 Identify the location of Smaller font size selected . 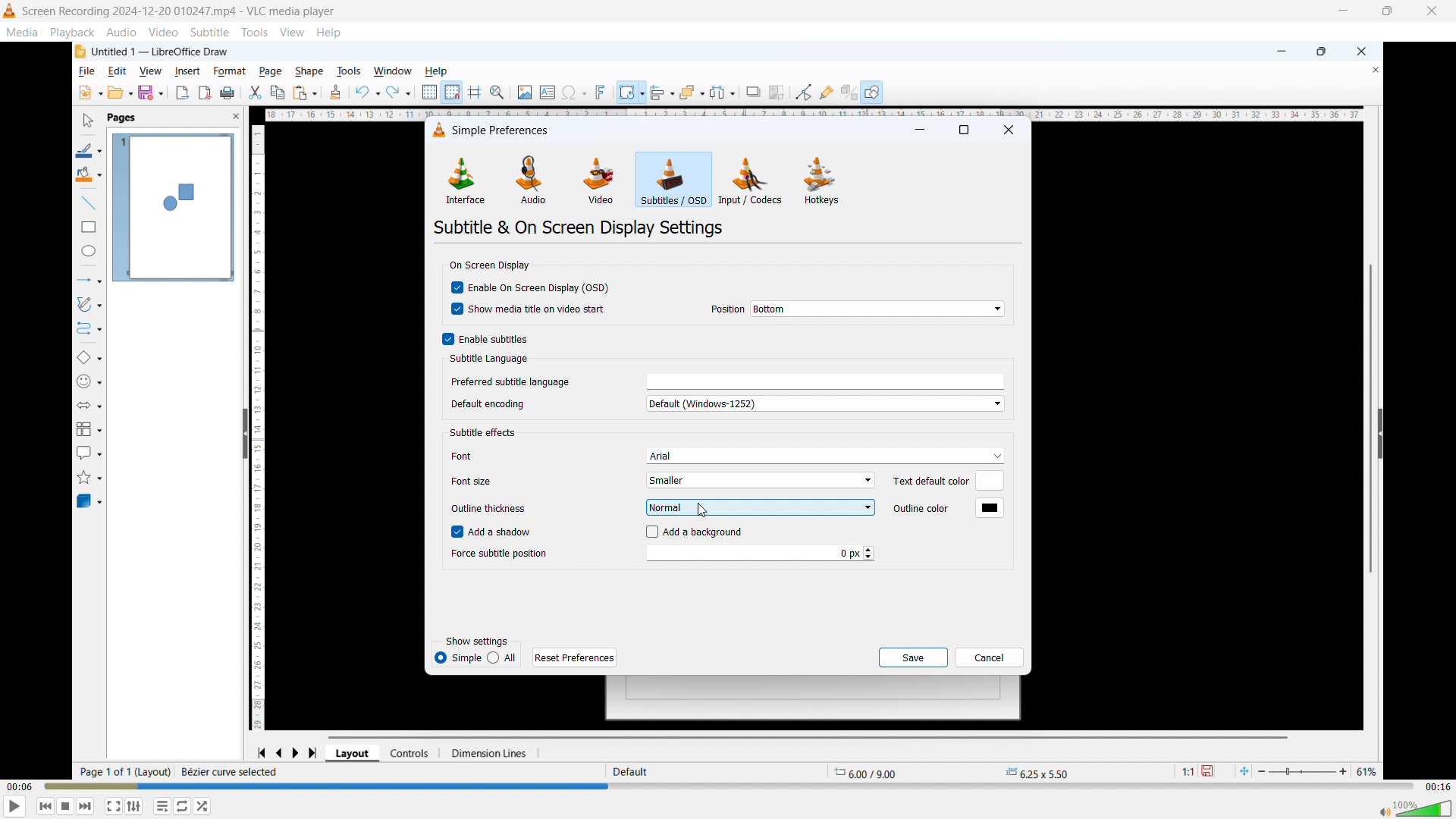
(761, 480).